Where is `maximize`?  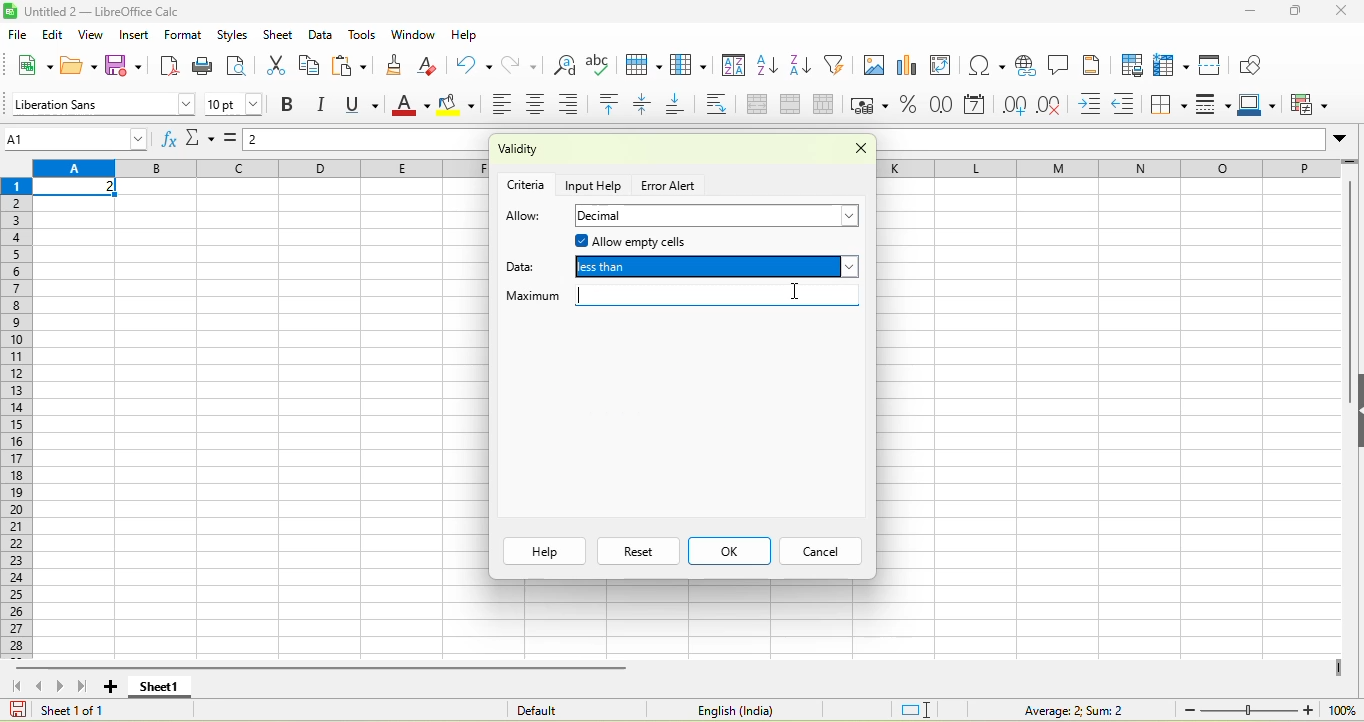 maximize is located at coordinates (1298, 12).